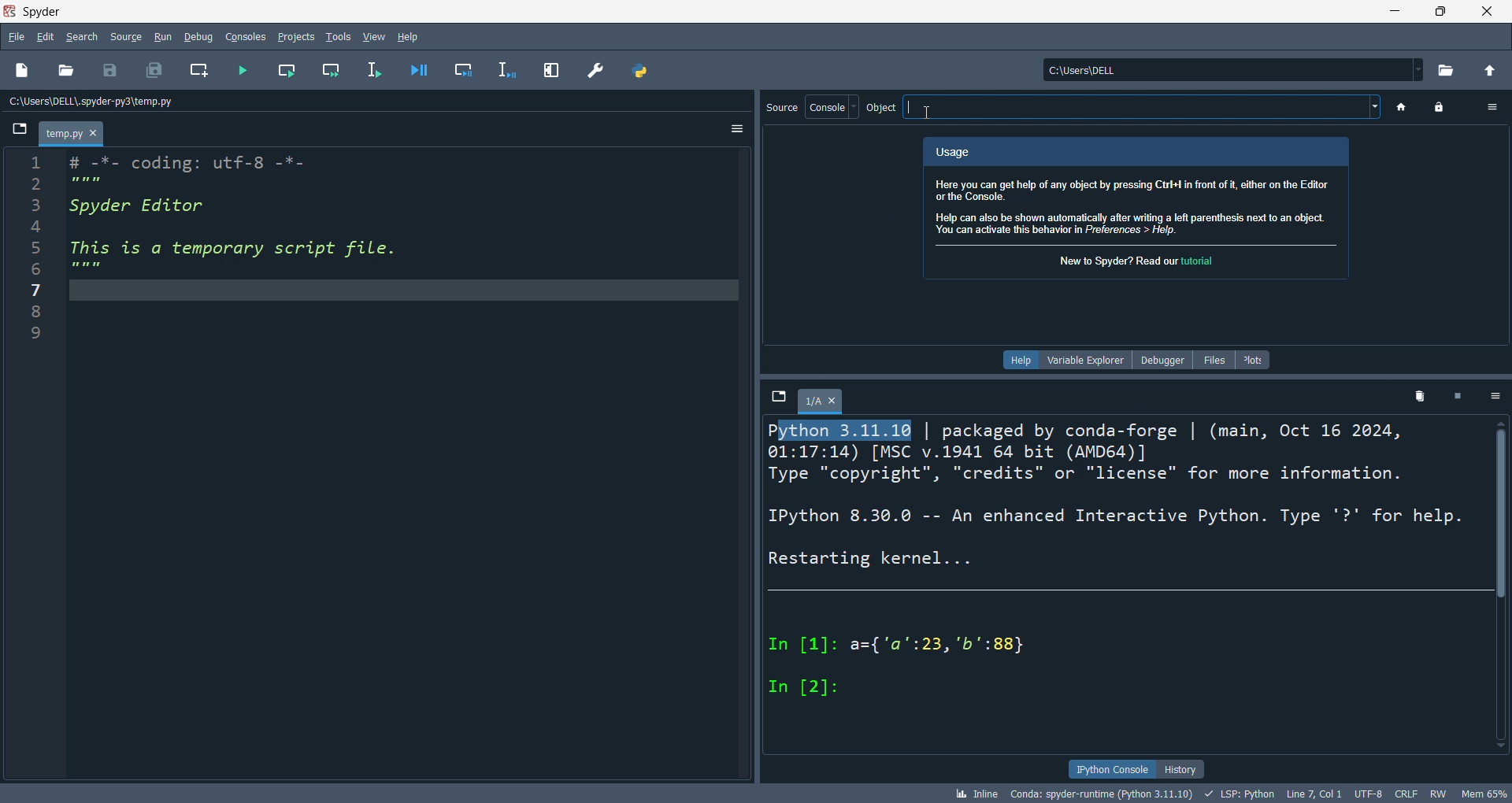 The height and width of the screenshot is (803, 1512). Describe the element at coordinates (1406, 793) in the screenshot. I see `CRLF` at that location.